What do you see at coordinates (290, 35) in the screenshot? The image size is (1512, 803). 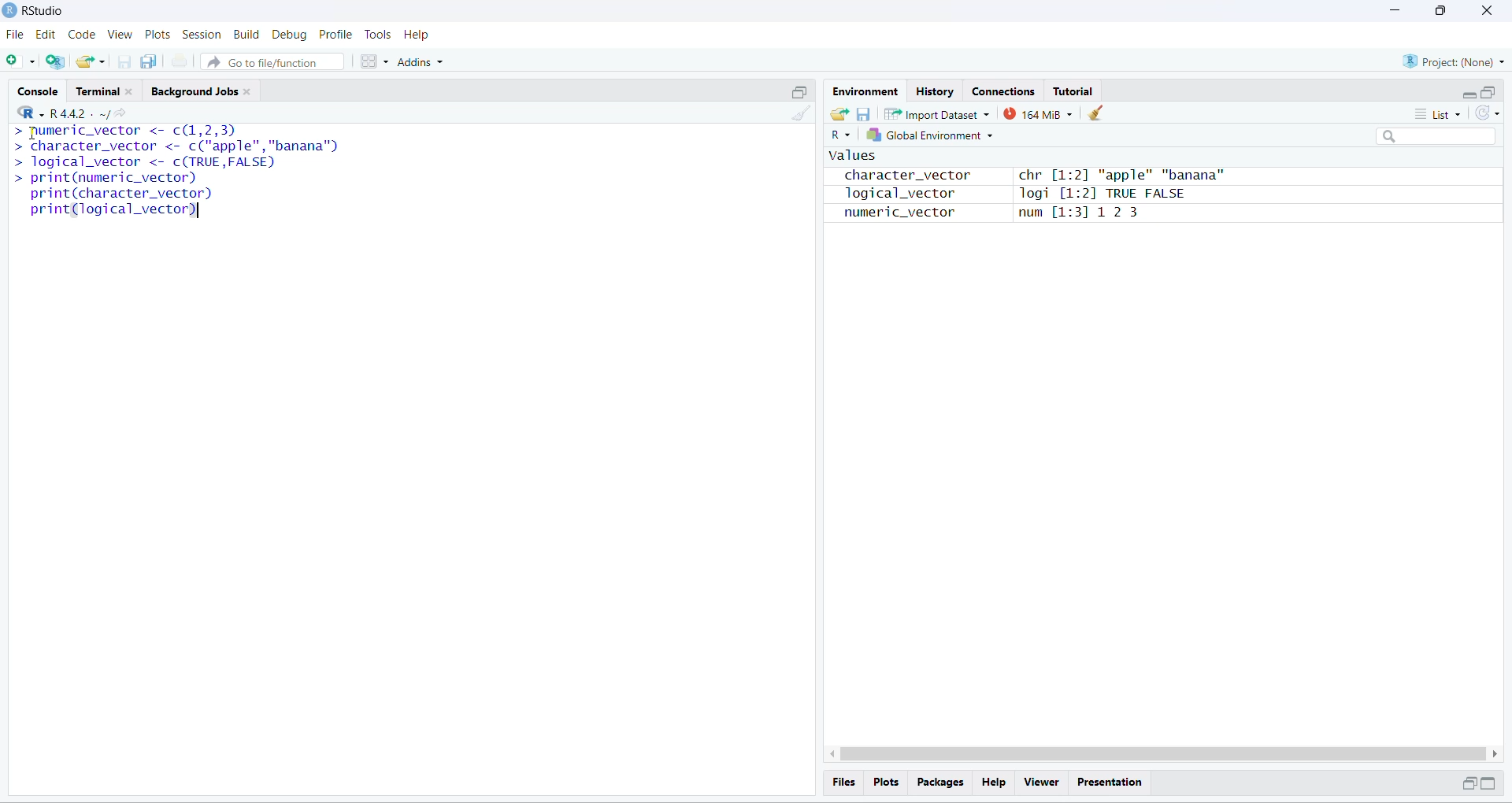 I see `Debug` at bounding box center [290, 35].